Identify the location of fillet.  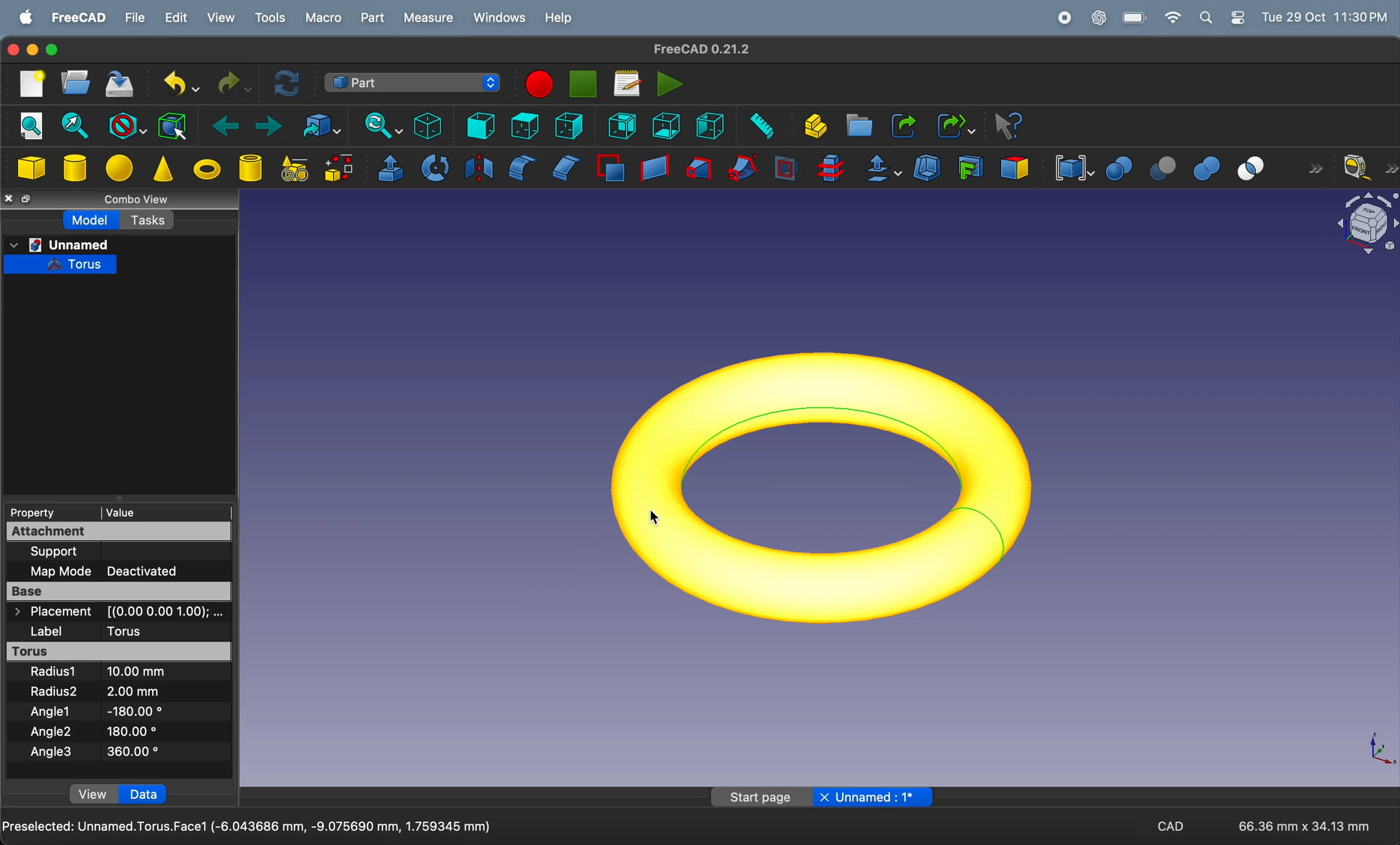
(520, 168).